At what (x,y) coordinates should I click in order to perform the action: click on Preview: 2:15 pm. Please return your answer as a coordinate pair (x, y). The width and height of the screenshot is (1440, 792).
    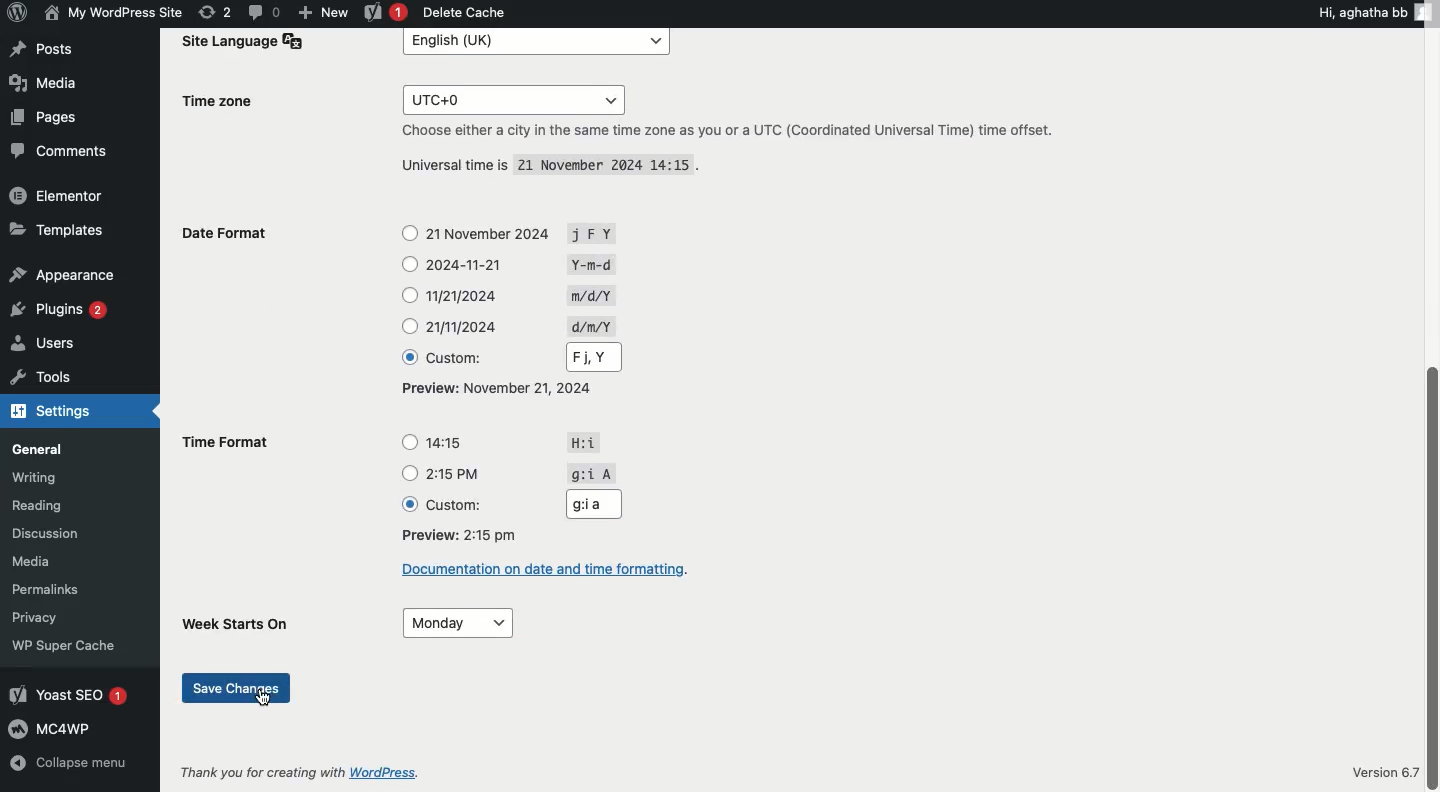
    Looking at the image, I should click on (459, 535).